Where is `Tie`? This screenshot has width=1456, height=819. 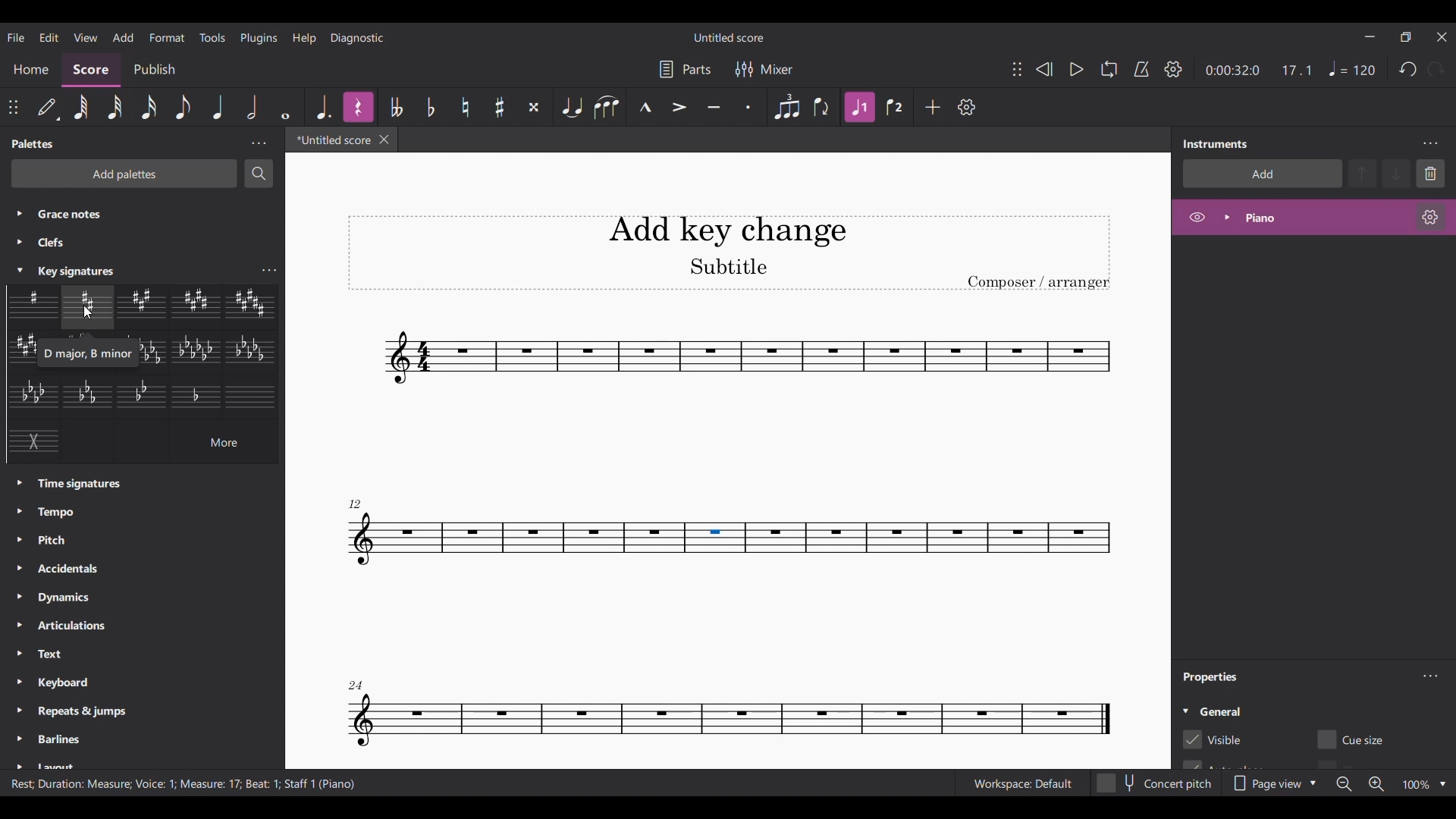 Tie is located at coordinates (572, 107).